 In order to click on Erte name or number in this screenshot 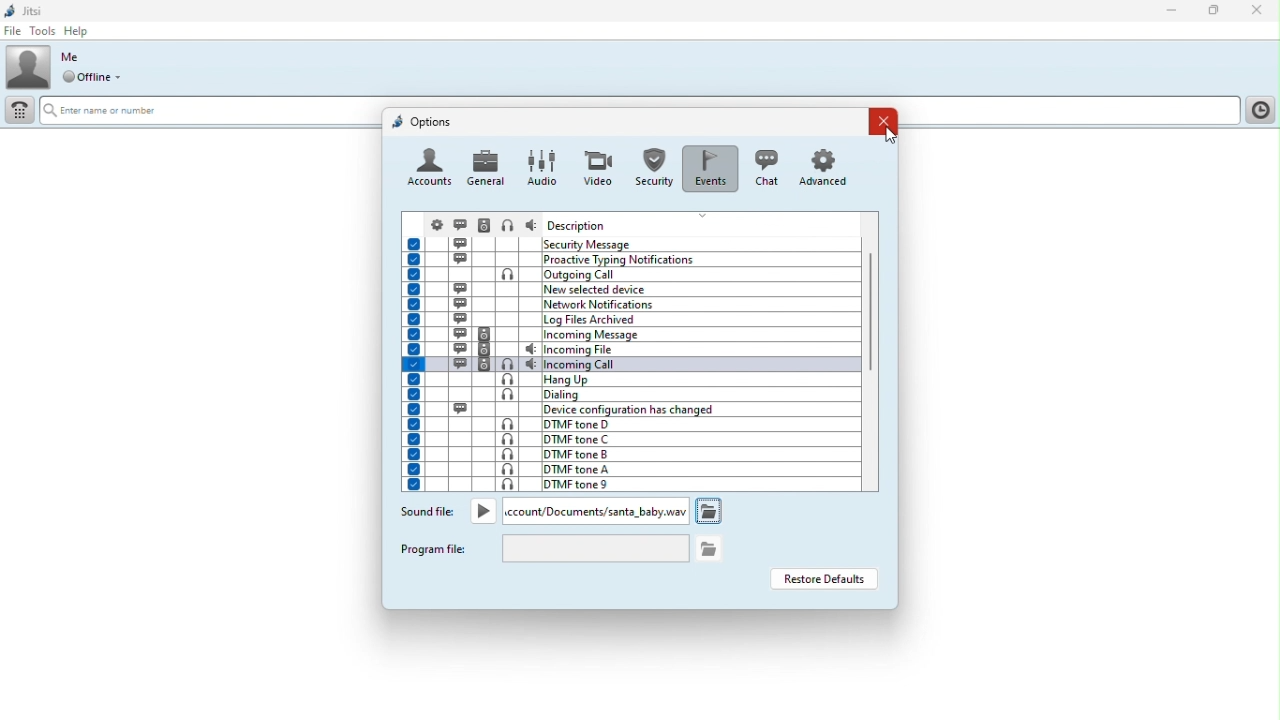, I will do `click(118, 110)`.